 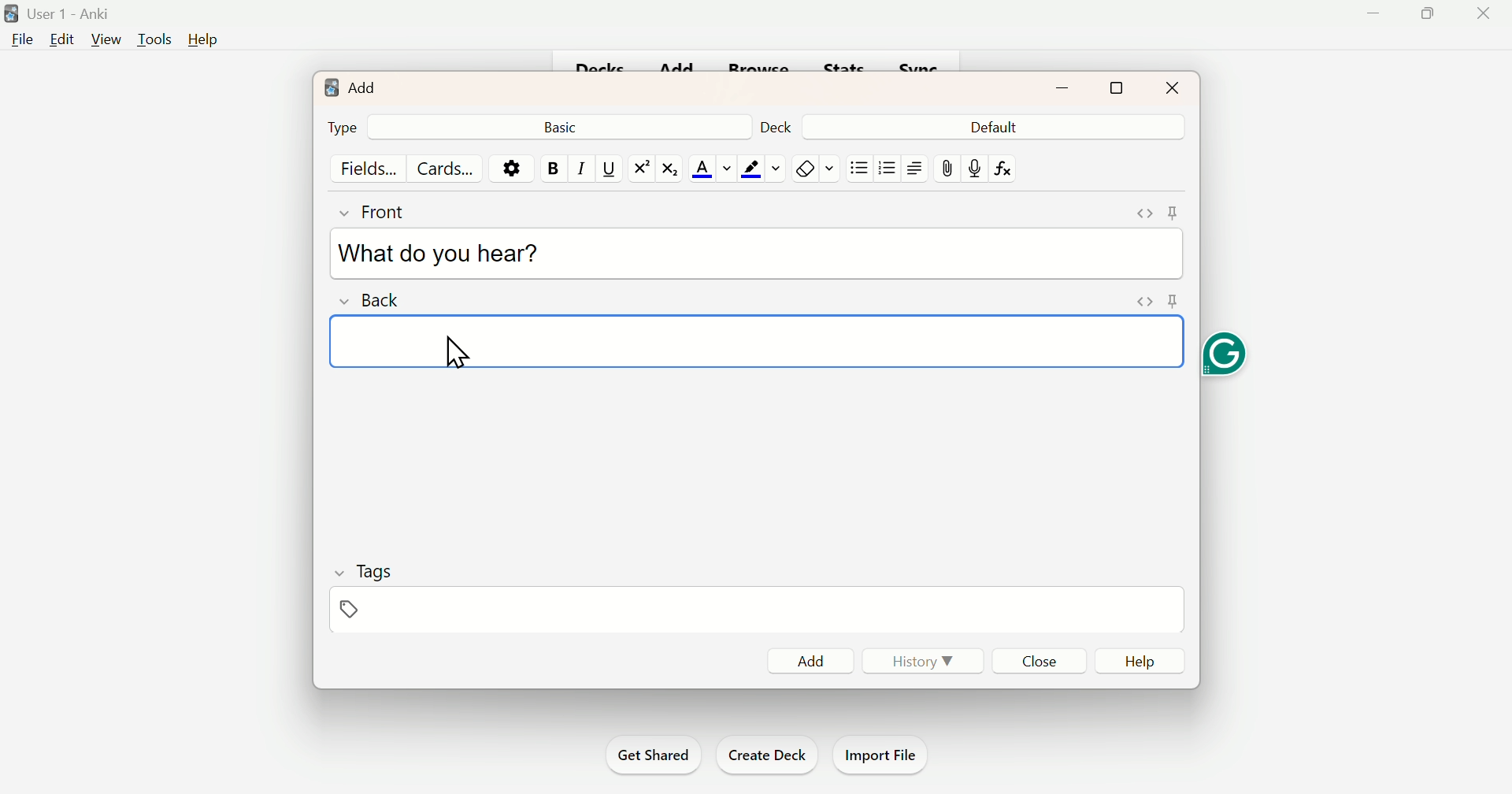 I want to click on pin, so click(x=1172, y=301).